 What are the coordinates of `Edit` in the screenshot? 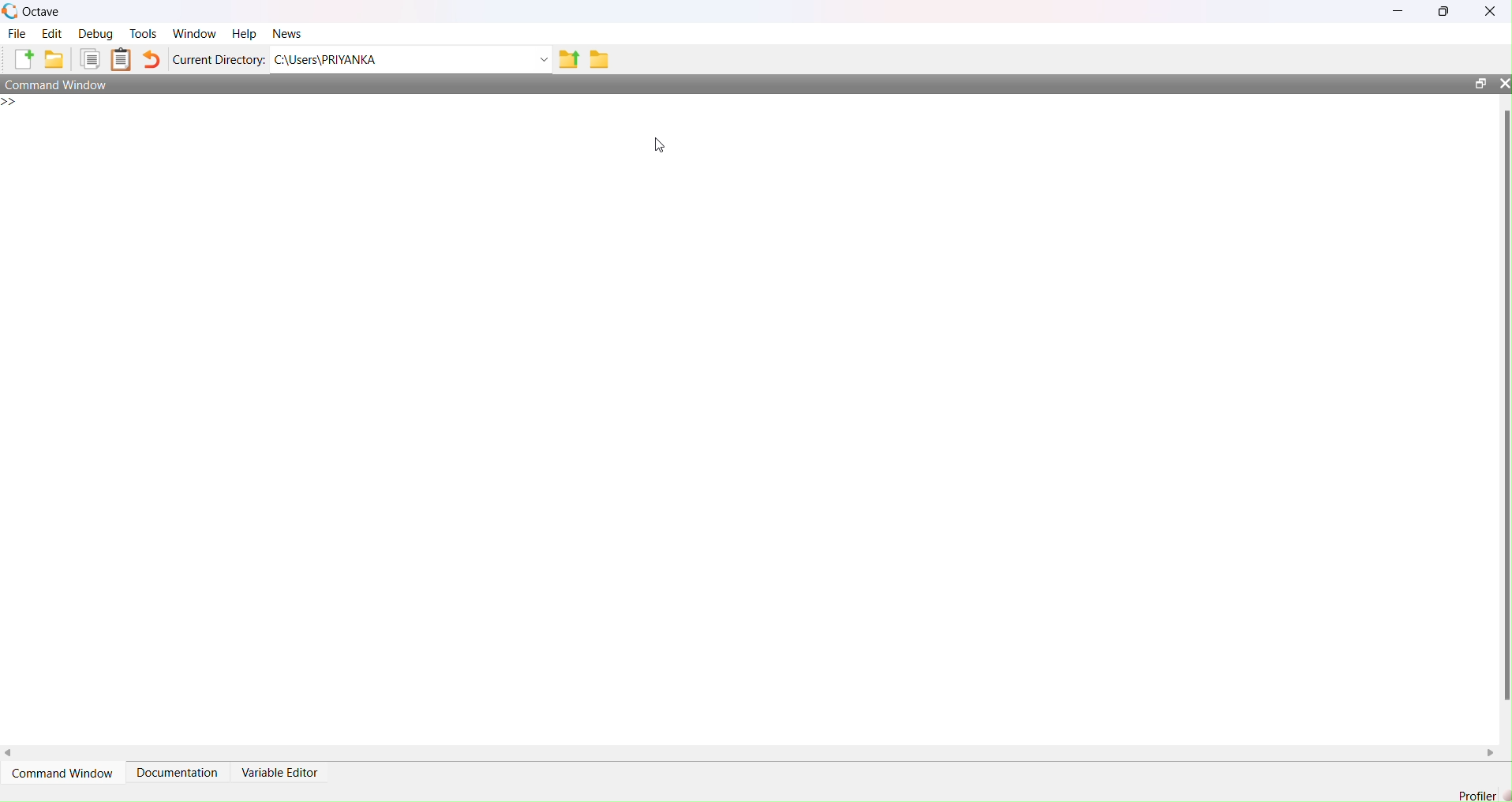 It's located at (51, 33).